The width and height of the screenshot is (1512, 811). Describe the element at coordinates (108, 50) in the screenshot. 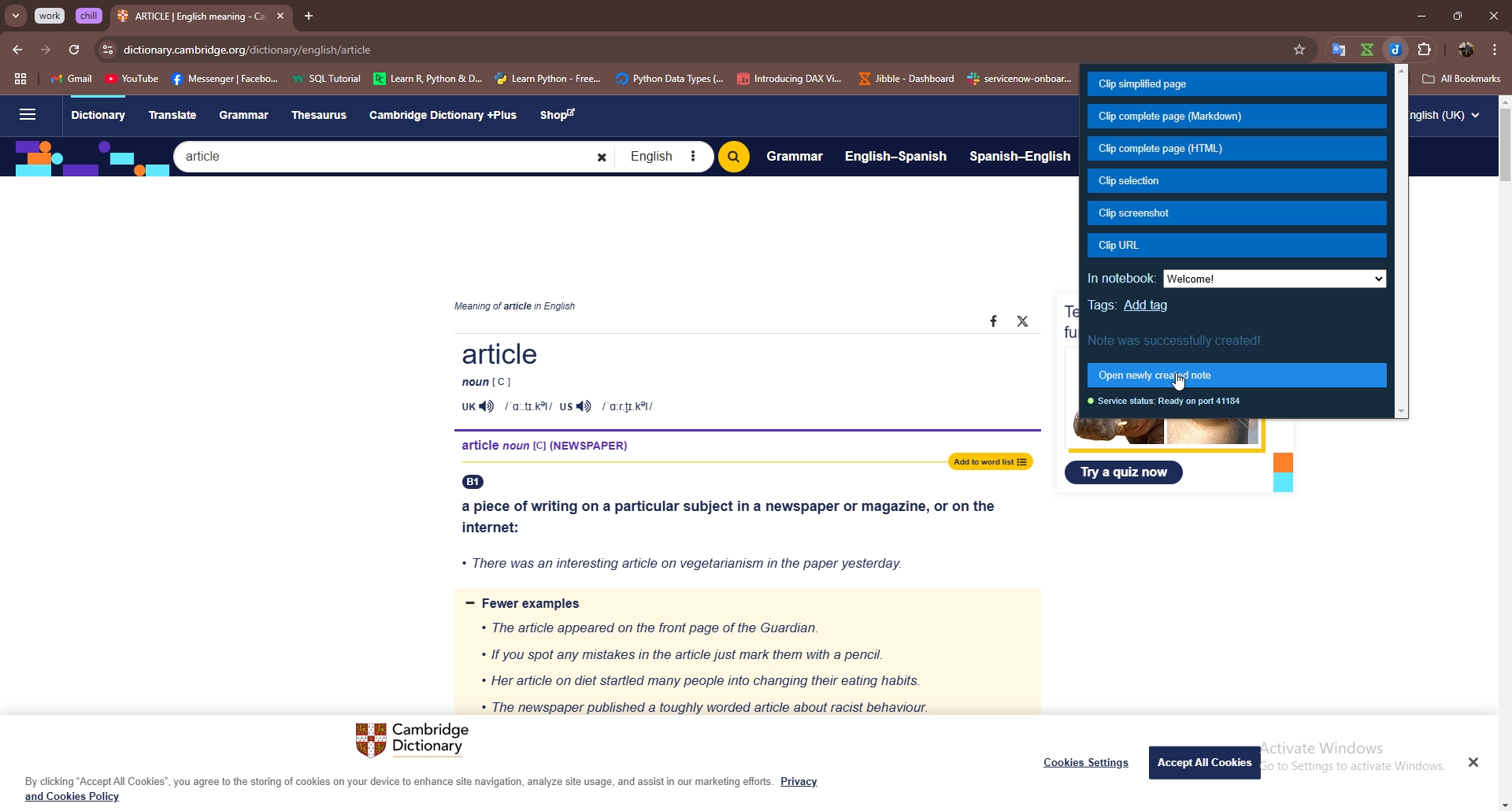

I see `view site info` at that location.